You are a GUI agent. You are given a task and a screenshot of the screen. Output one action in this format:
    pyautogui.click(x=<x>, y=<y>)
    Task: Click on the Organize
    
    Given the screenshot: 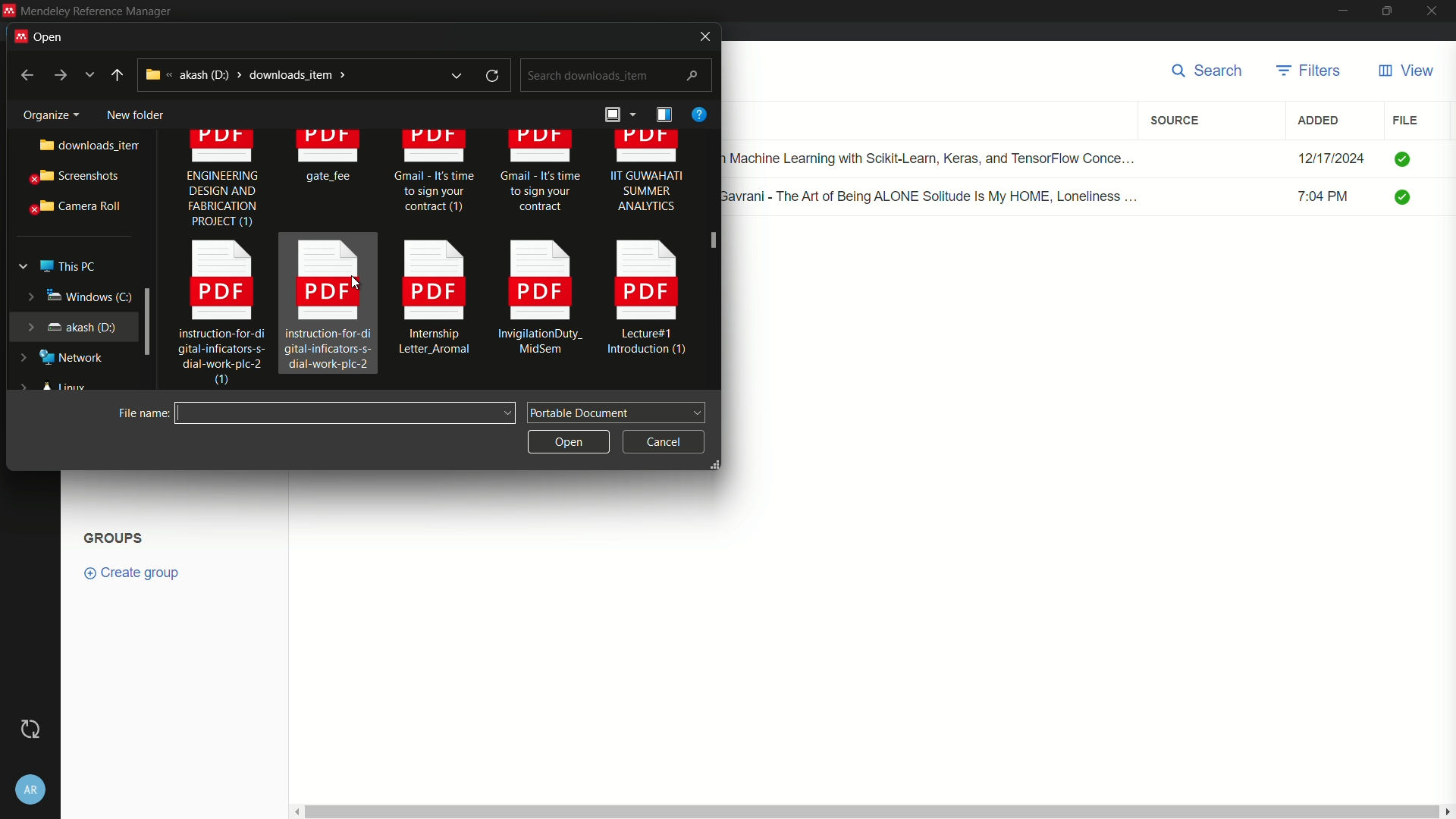 What is the action you would take?
    pyautogui.click(x=45, y=112)
    